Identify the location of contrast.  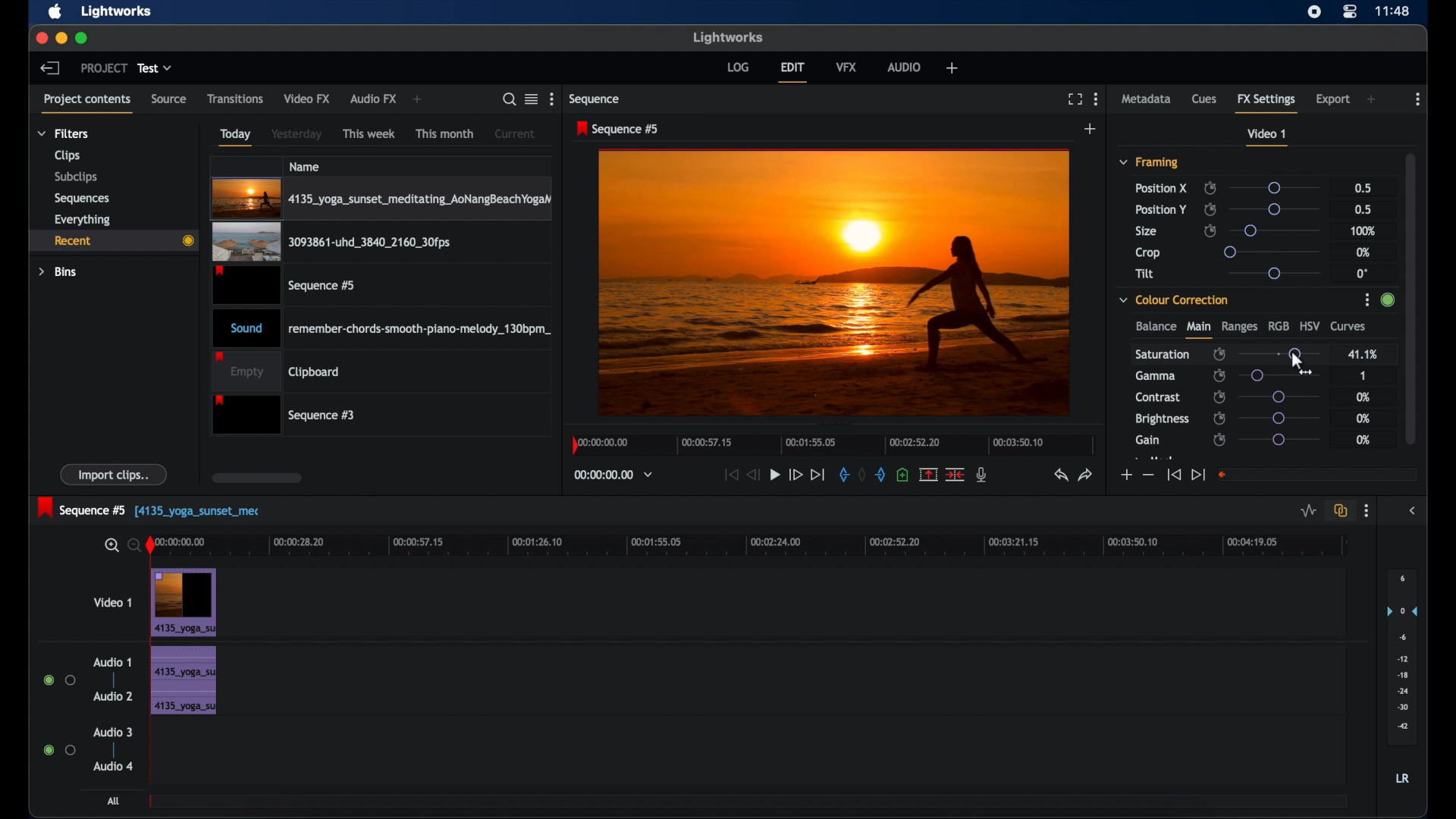
(1159, 398).